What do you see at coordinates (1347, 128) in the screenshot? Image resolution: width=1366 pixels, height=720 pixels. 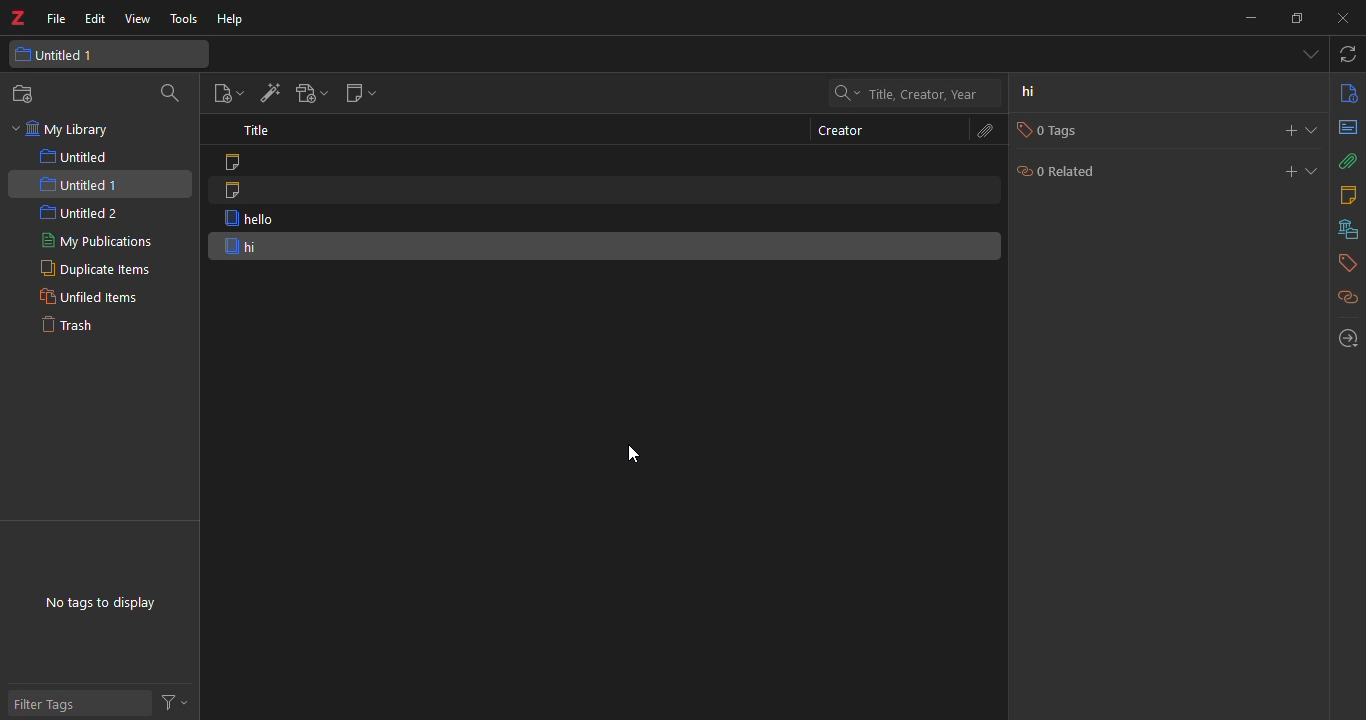 I see `abstract` at bounding box center [1347, 128].